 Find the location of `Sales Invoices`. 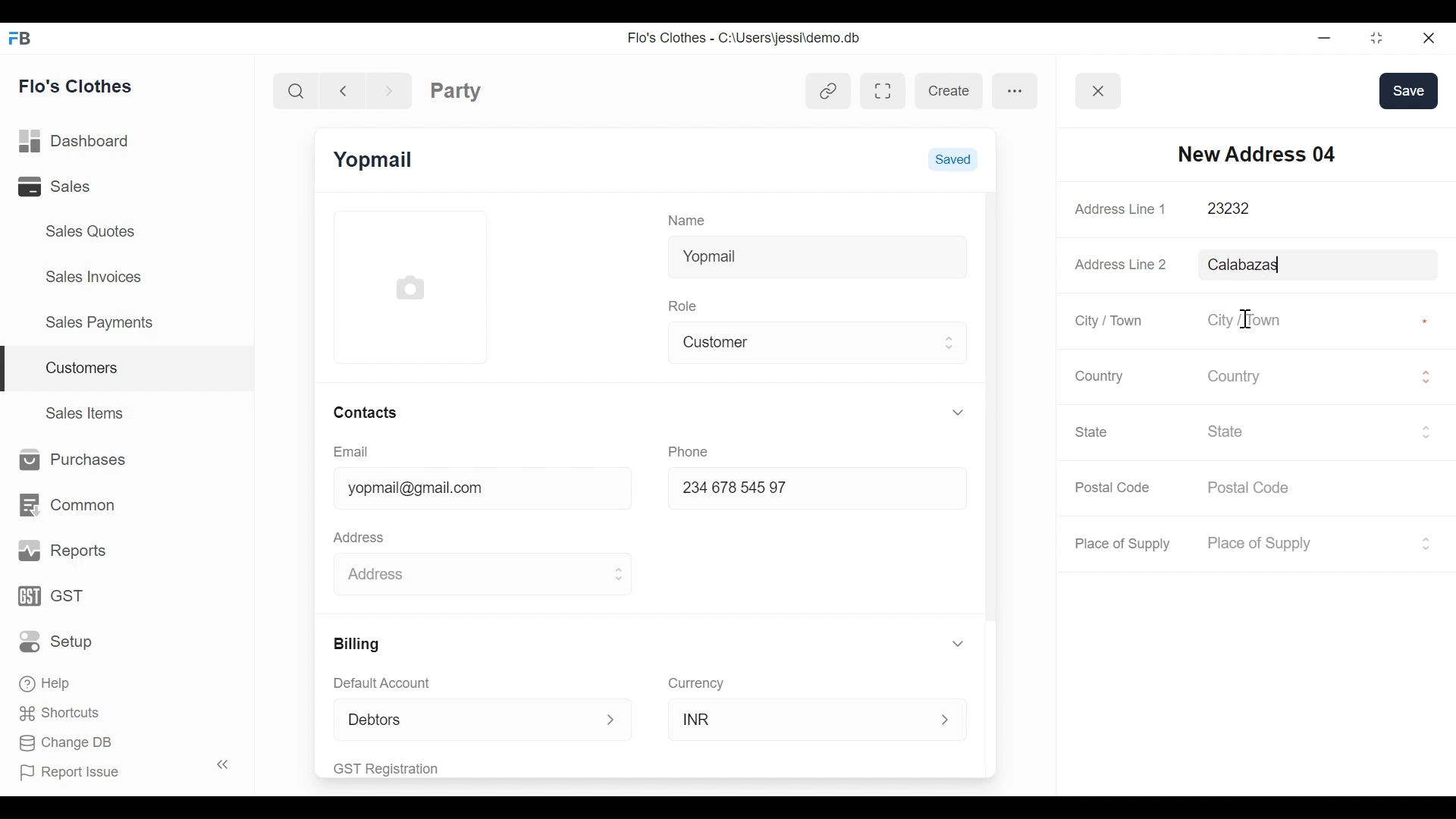

Sales Invoices is located at coordinates (96, 275).